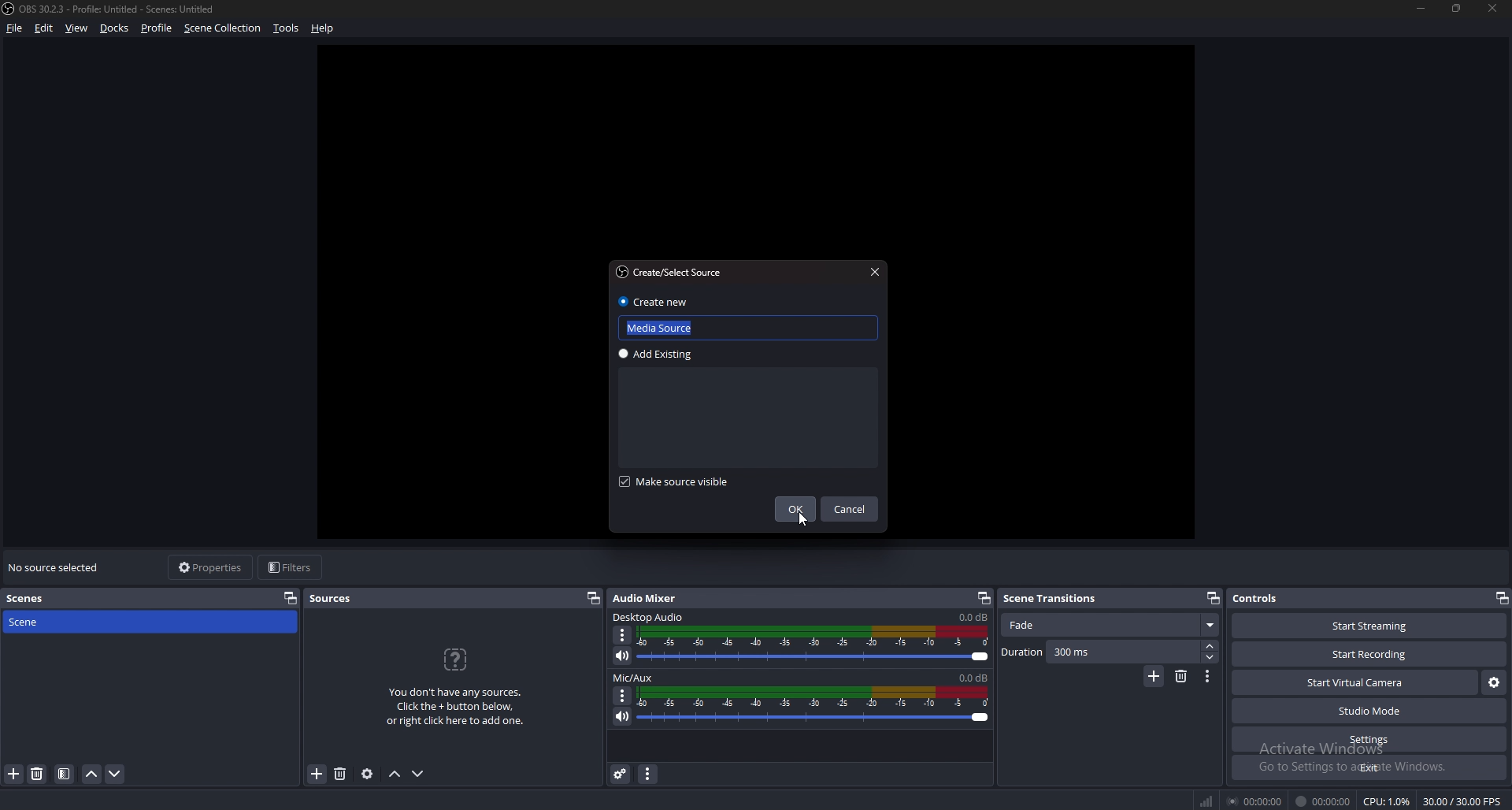  I want to click on fade, so click(1111, 626).